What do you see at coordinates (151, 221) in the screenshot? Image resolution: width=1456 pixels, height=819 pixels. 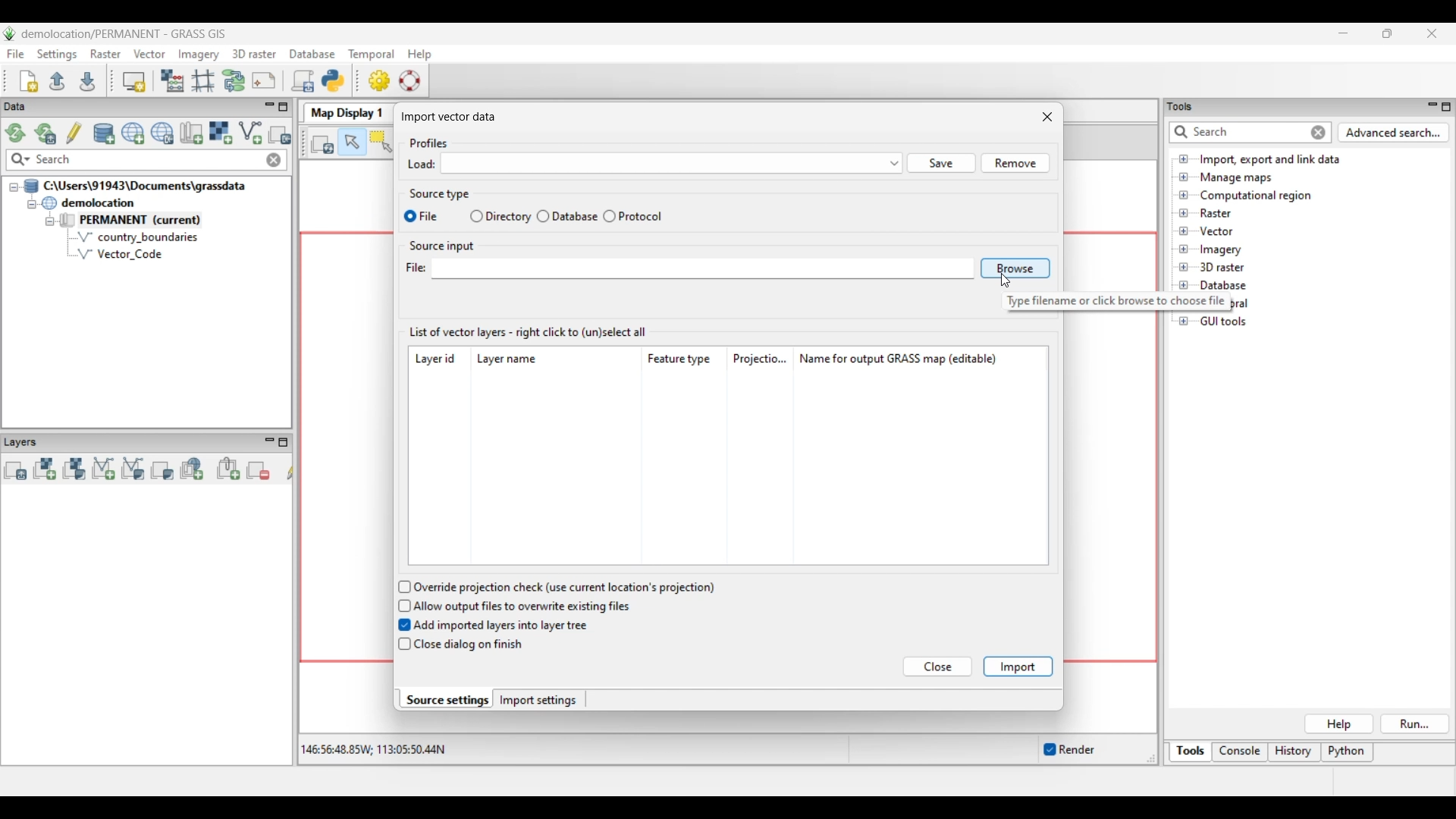 I see `Double click to collapse Permanent` at bounding box center [151, 221].